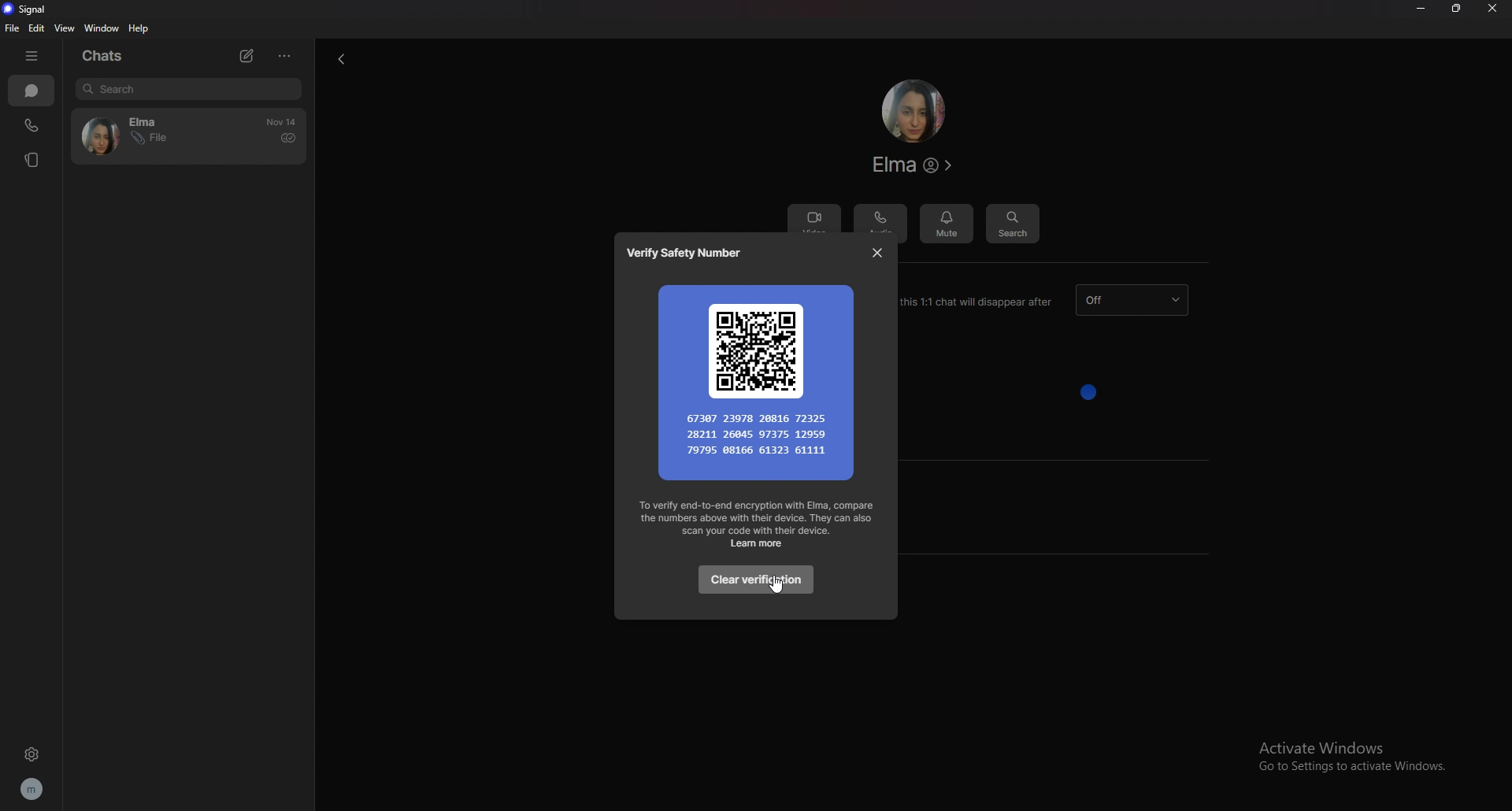 The width and height of the screenshot is (1512, 811). What do you see at coordinates (35, 160) in the screenshot?
I see `stories` at bounding box center [35, 160].